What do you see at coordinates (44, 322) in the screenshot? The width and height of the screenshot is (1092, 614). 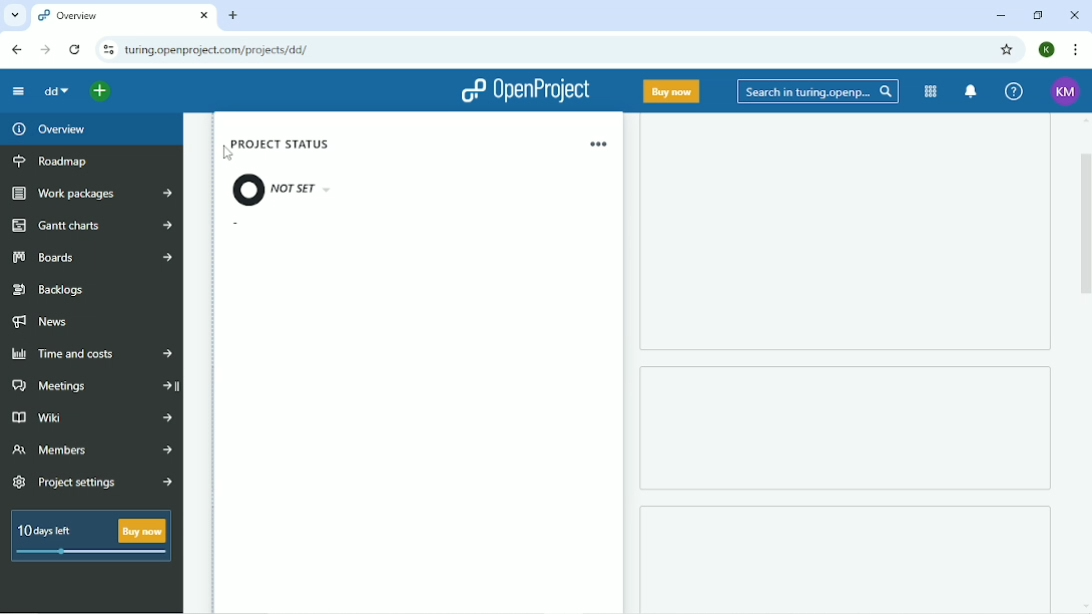 I see `News` at bounding box center [44, 322].